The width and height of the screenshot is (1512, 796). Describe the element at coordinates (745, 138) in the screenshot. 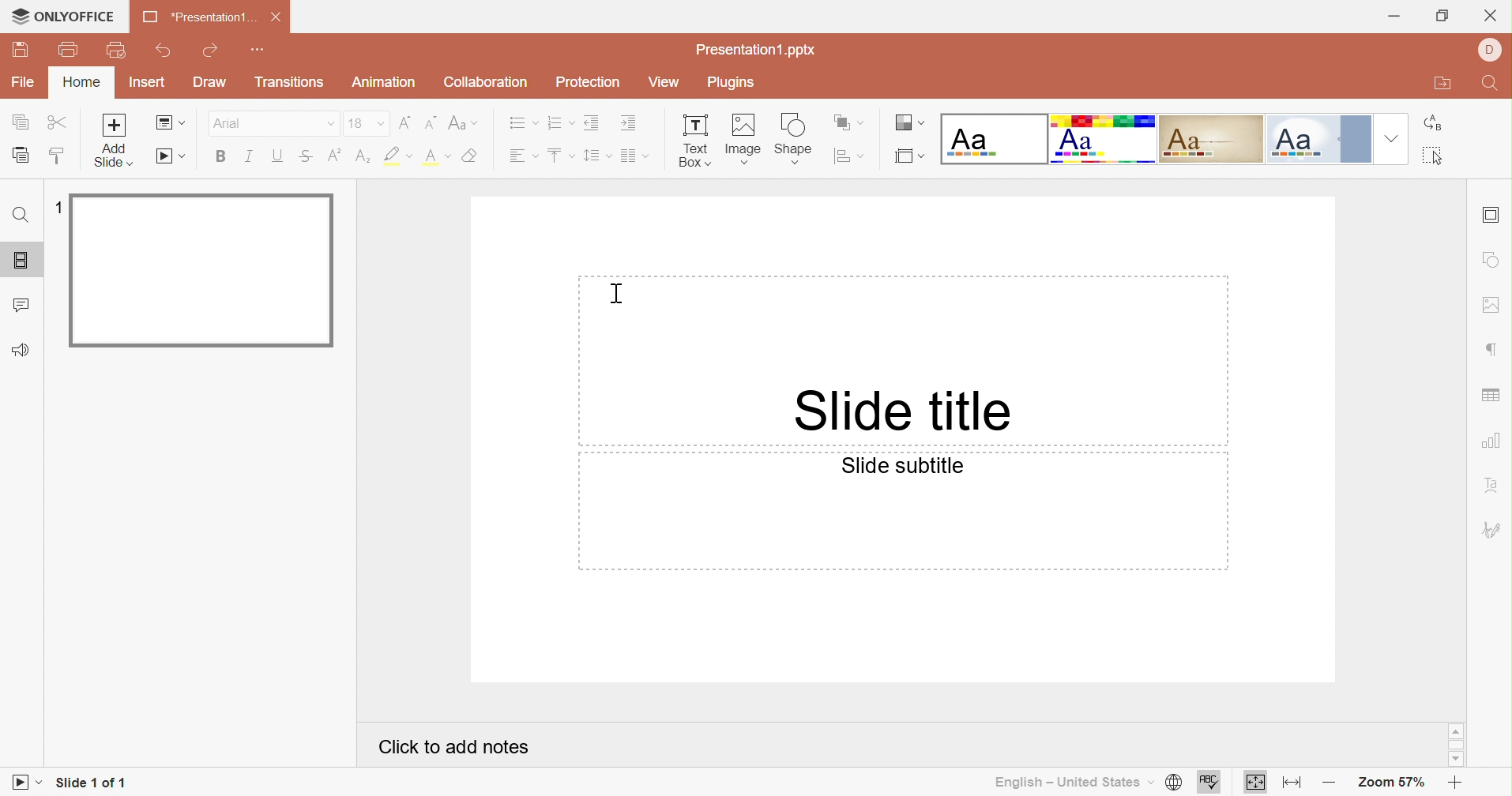

I see `Image` at that location.